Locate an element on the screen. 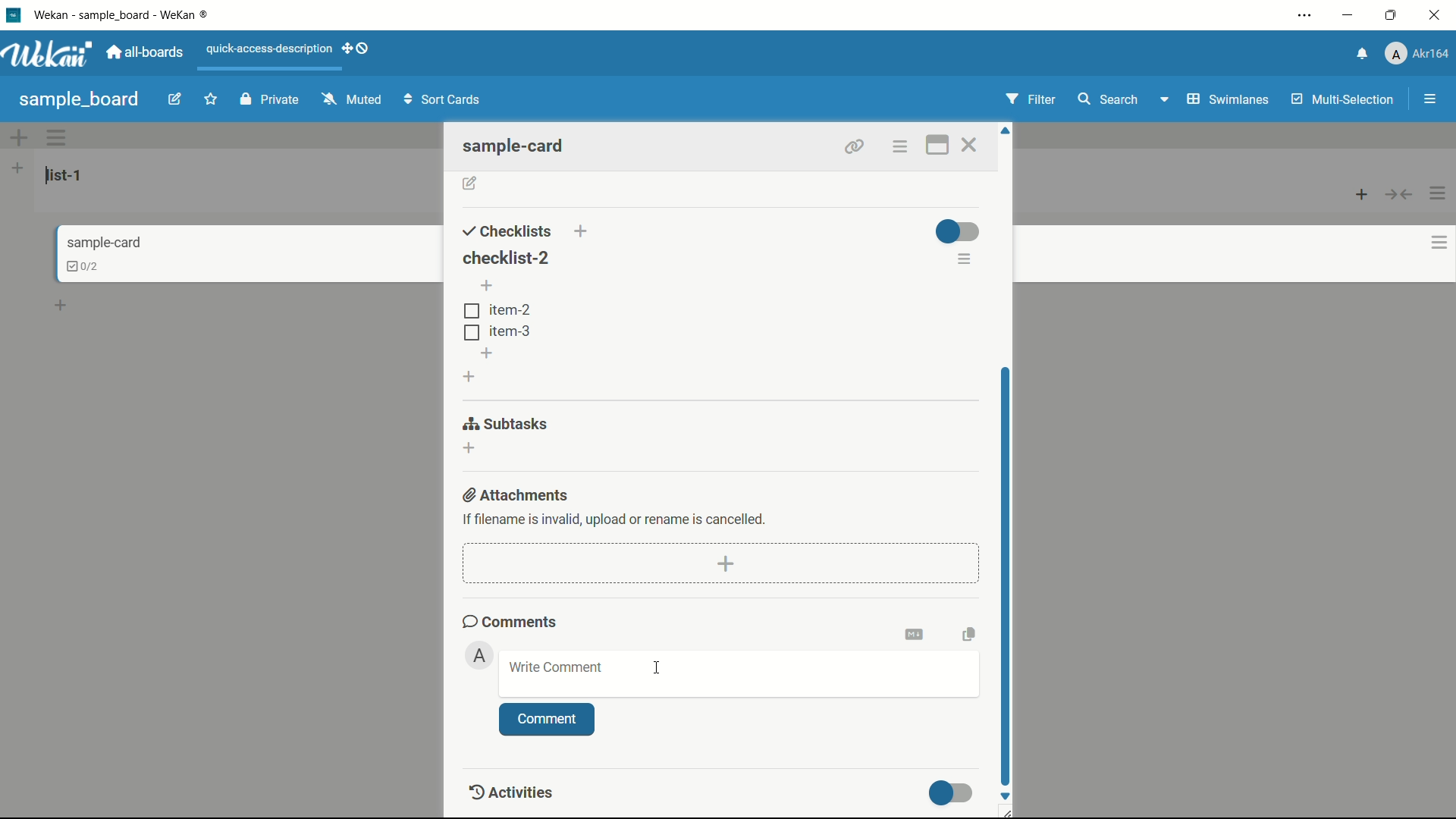 This screenshot has width=1456, height=819. app logo is located at coordinates (52, 55).